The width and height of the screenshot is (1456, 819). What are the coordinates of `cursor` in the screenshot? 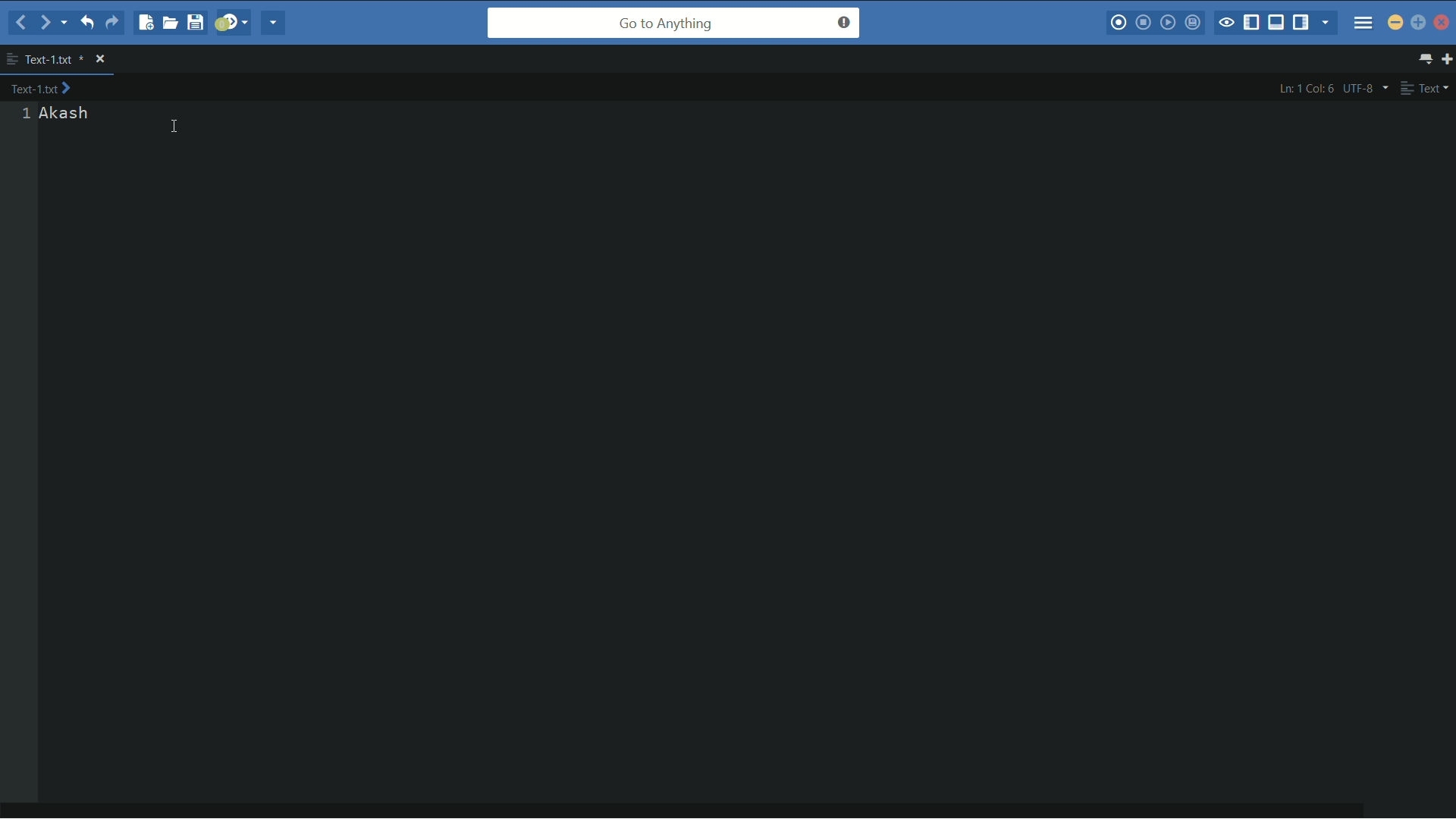 It's located at (174, 127).